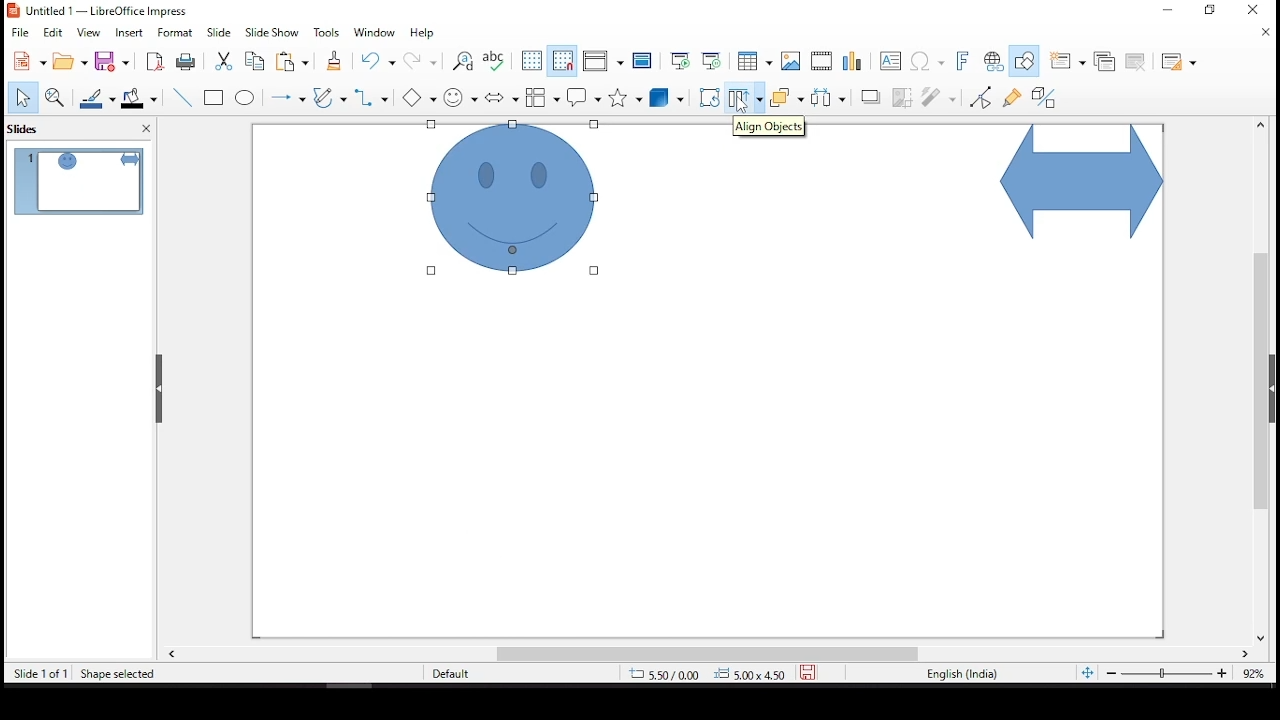 Image resolution: width=1280 pixels, height=720 pixels. Describe the element at coordinates (25, 62) in the screenshot. I see `new` at that location.